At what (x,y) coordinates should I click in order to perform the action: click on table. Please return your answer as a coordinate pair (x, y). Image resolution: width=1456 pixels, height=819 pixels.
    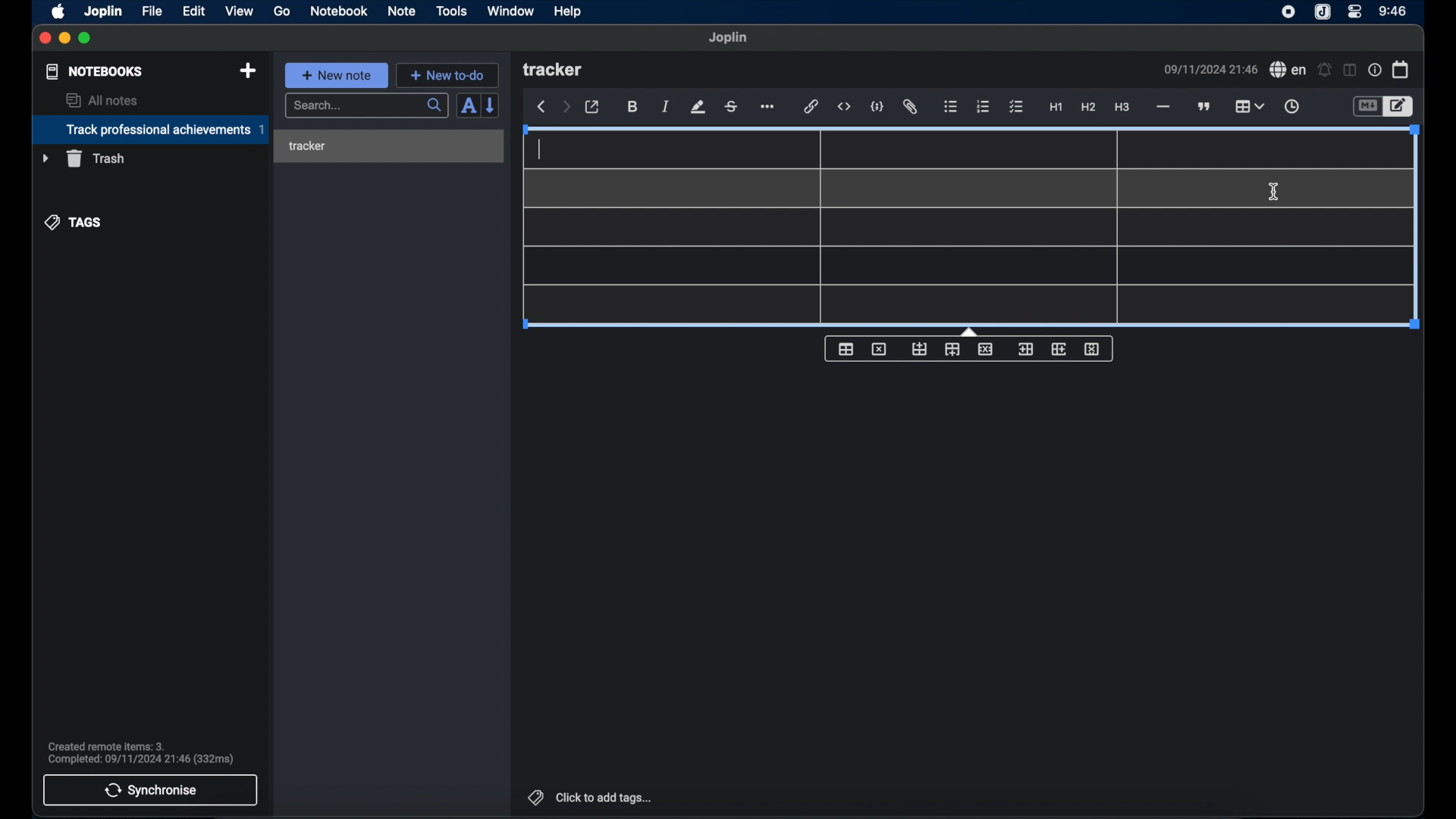
    Looking at the image, I should click on (1249, 105).